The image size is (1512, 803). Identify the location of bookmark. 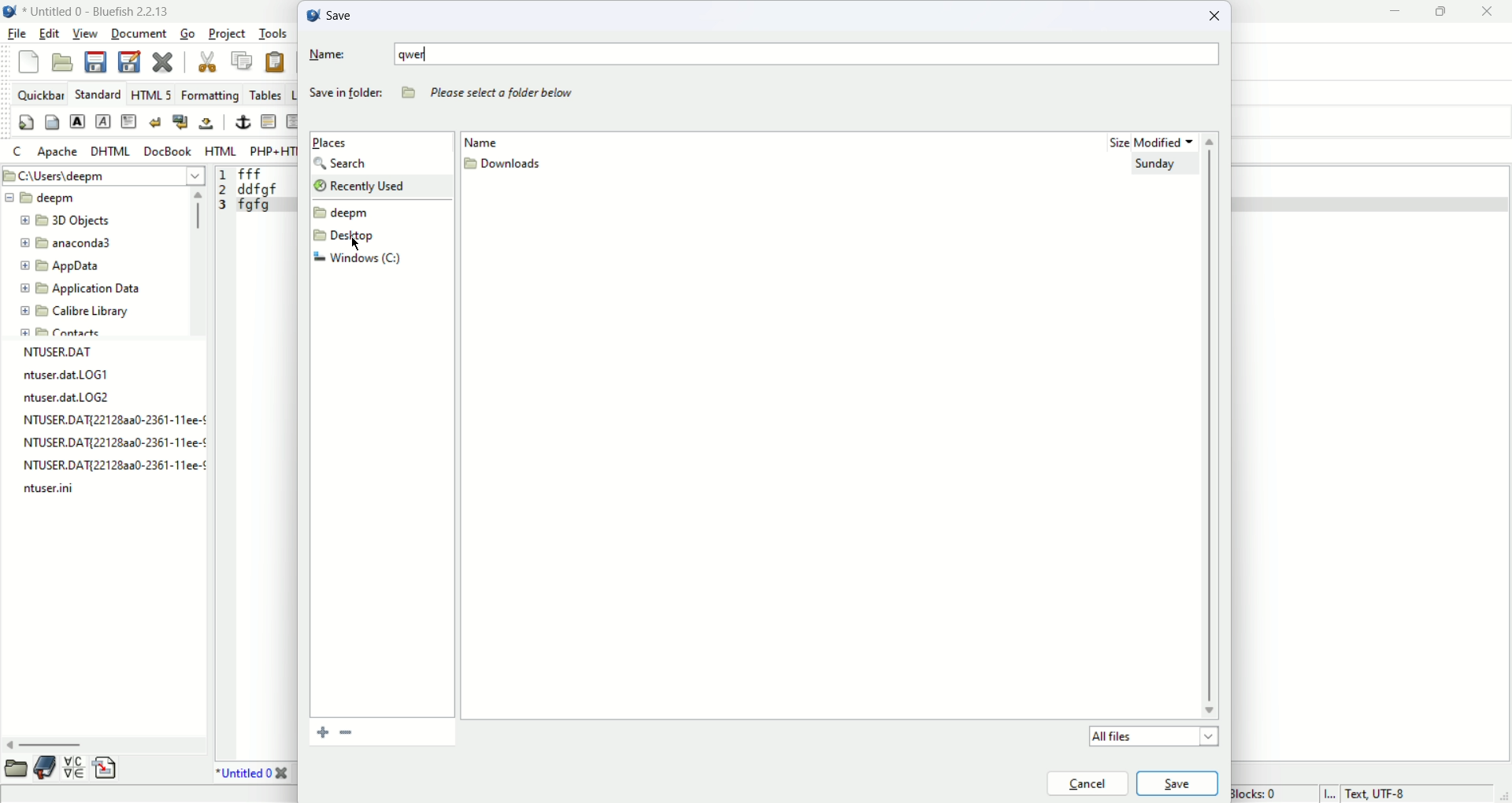
(347, 733).